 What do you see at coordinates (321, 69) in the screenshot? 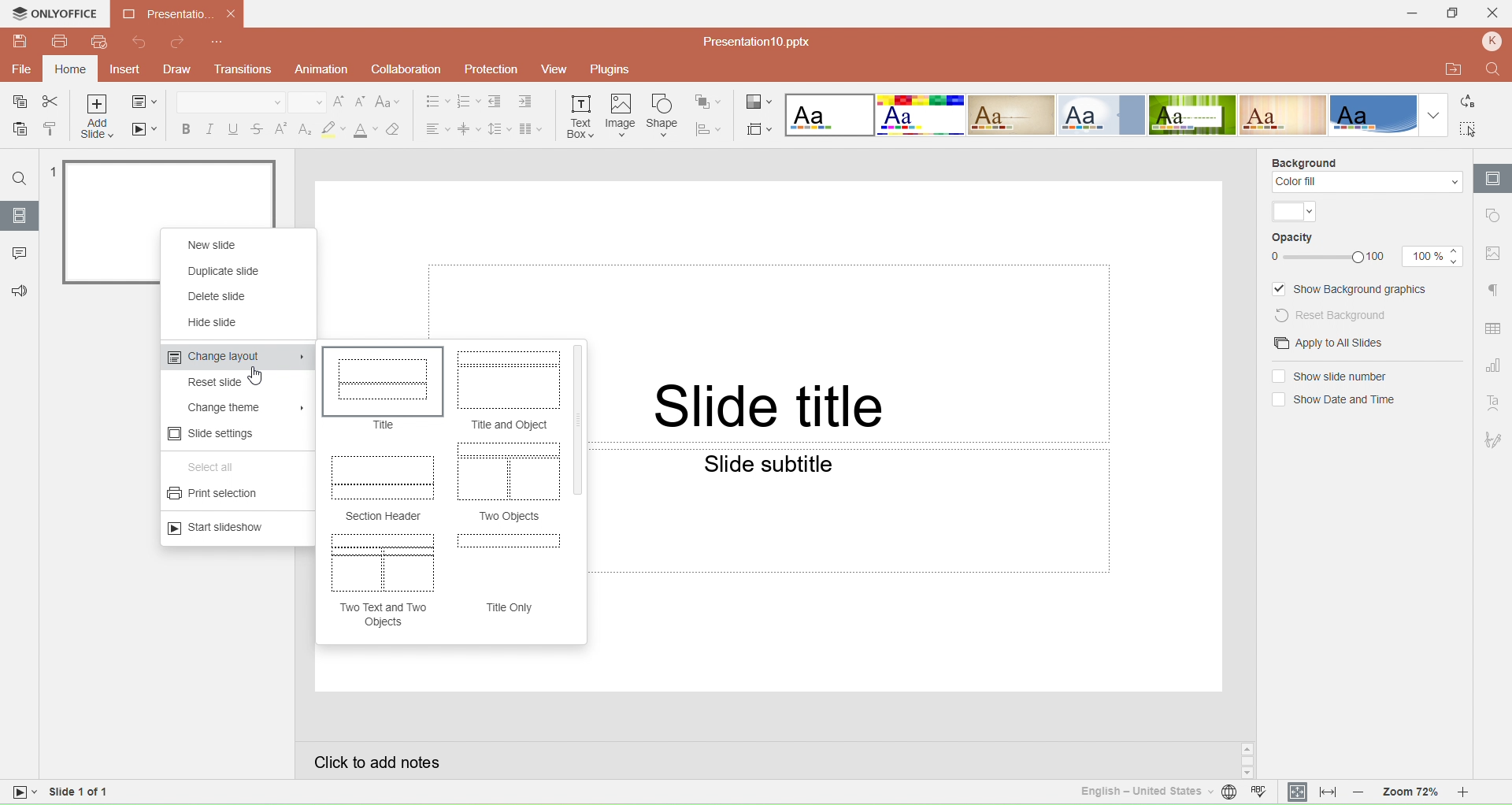
I see `Animation` at bounding box center [321, 69].